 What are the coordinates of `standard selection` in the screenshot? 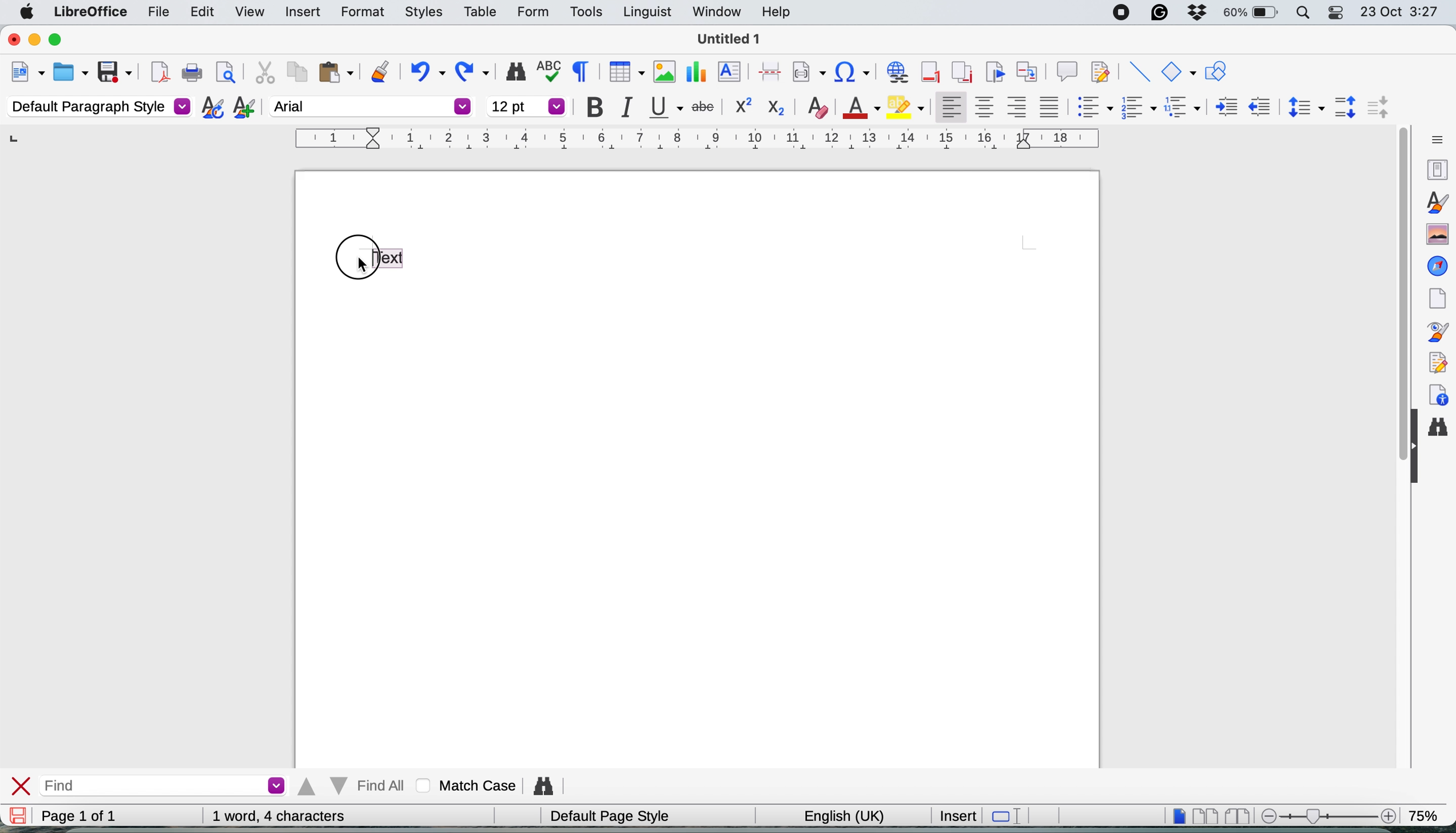 It's located at (1004, 815).